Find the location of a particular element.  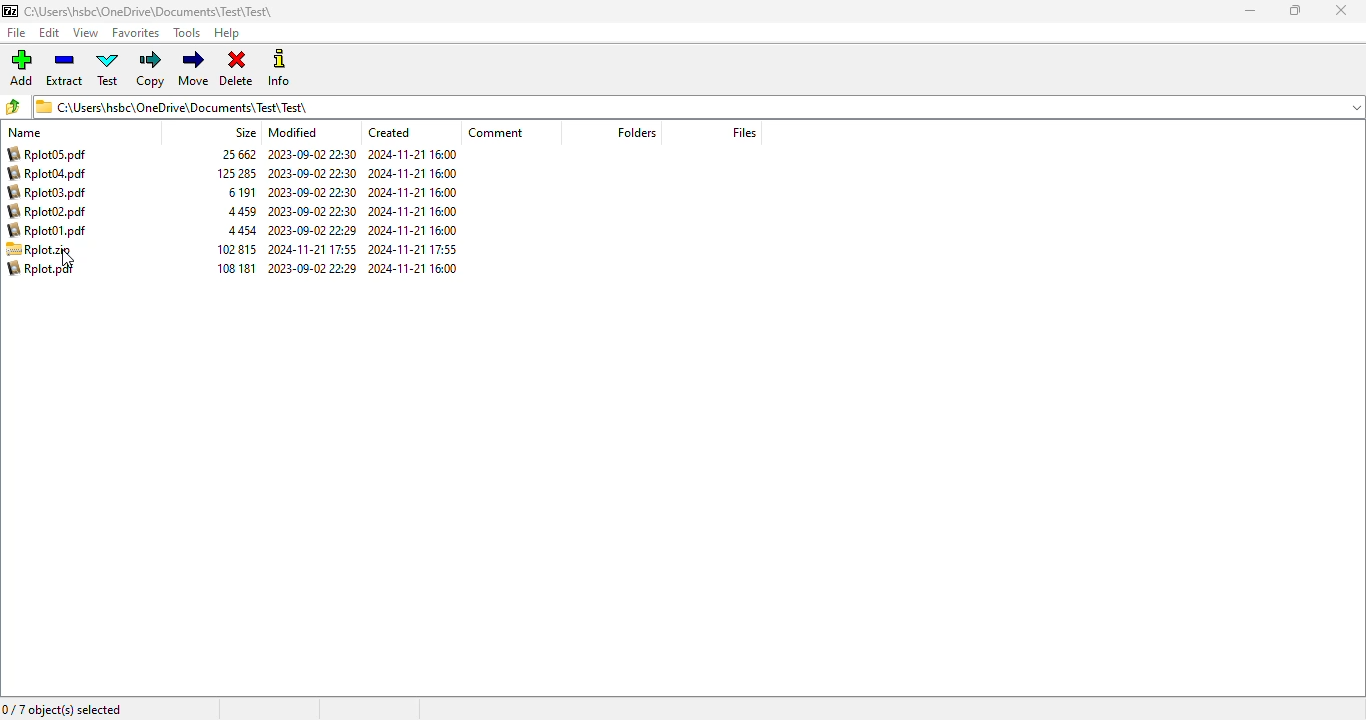

comment is located at coordinates (496, 132).